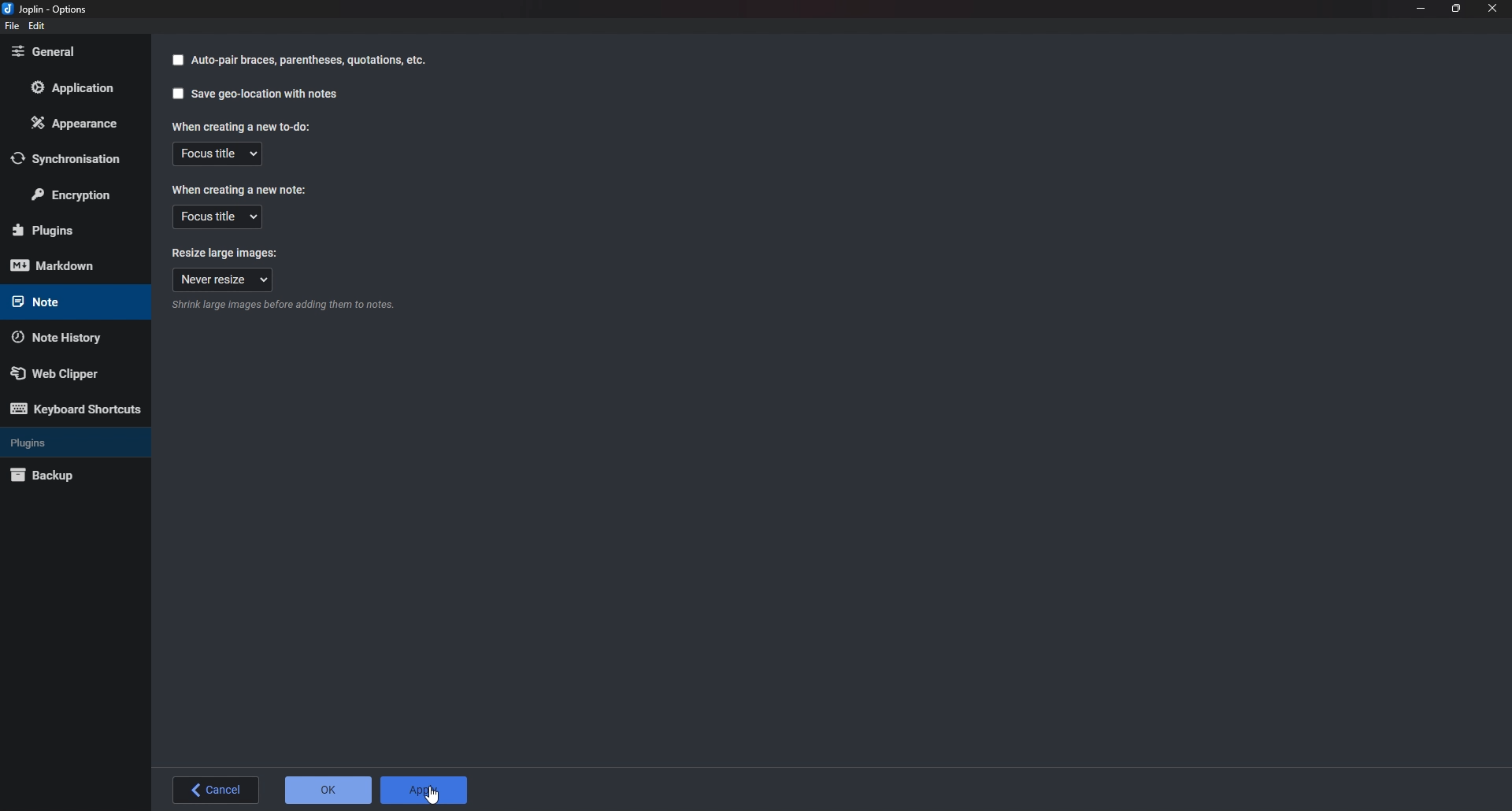  What do you see at coordinates (224, 280) in the screenshot?
I see `Never resize` at bounding box center [224, 280].